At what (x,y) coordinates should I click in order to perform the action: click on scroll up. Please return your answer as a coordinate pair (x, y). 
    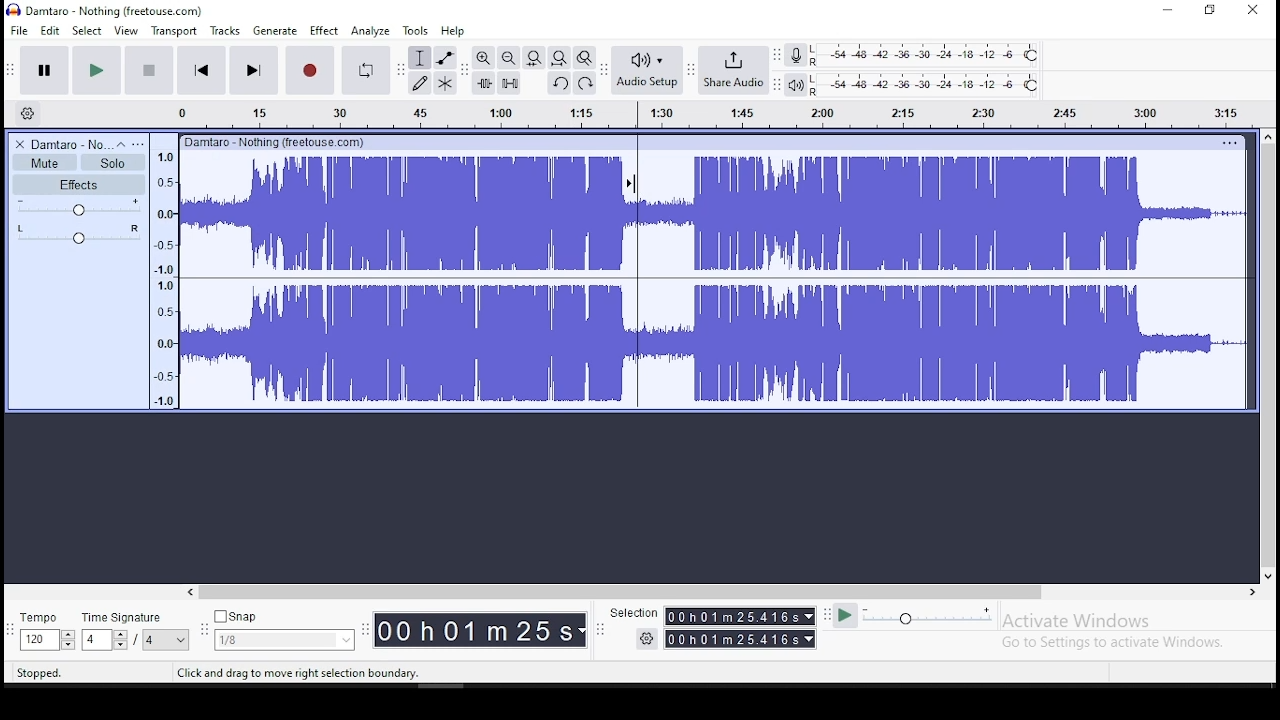
    Looking at the image, I should click on (1269, 137).